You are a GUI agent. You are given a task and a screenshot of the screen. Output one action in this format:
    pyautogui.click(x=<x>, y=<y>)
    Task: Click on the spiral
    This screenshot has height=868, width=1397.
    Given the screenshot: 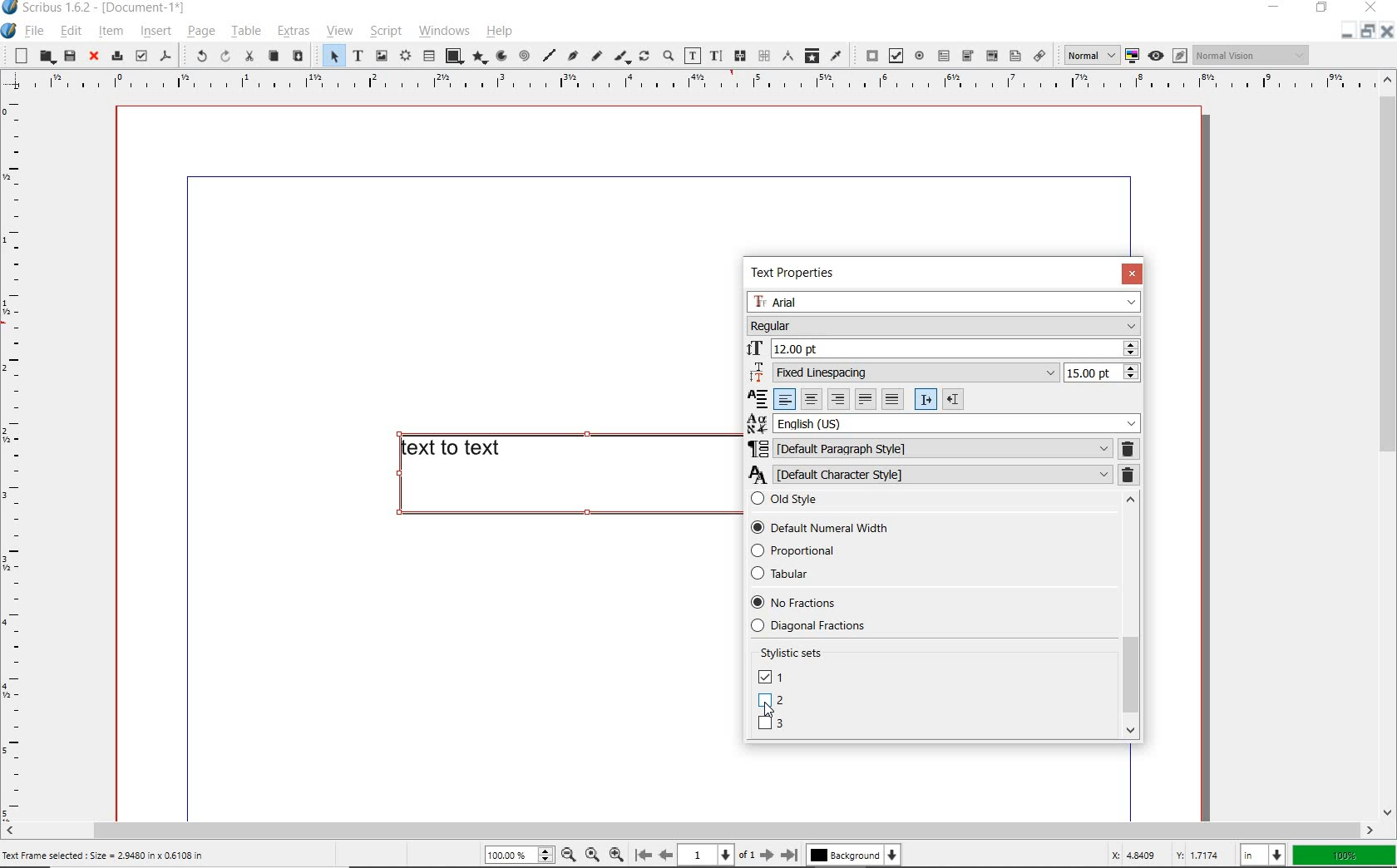 What is the action you would take?
    pyautogui.click(x=524, y=57)
    